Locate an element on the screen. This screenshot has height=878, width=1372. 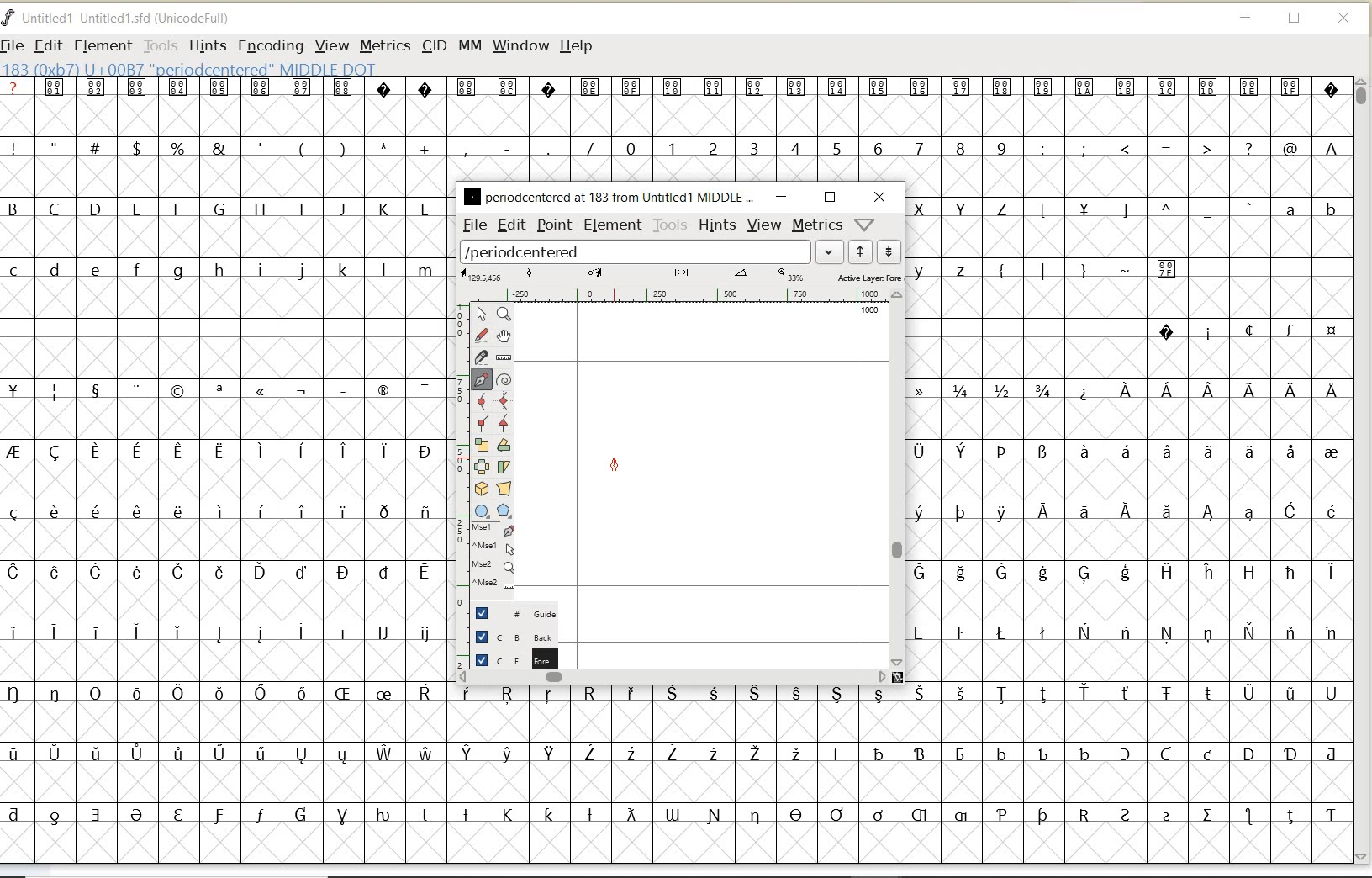
lowercase letters is located at coordinates (950, 269).